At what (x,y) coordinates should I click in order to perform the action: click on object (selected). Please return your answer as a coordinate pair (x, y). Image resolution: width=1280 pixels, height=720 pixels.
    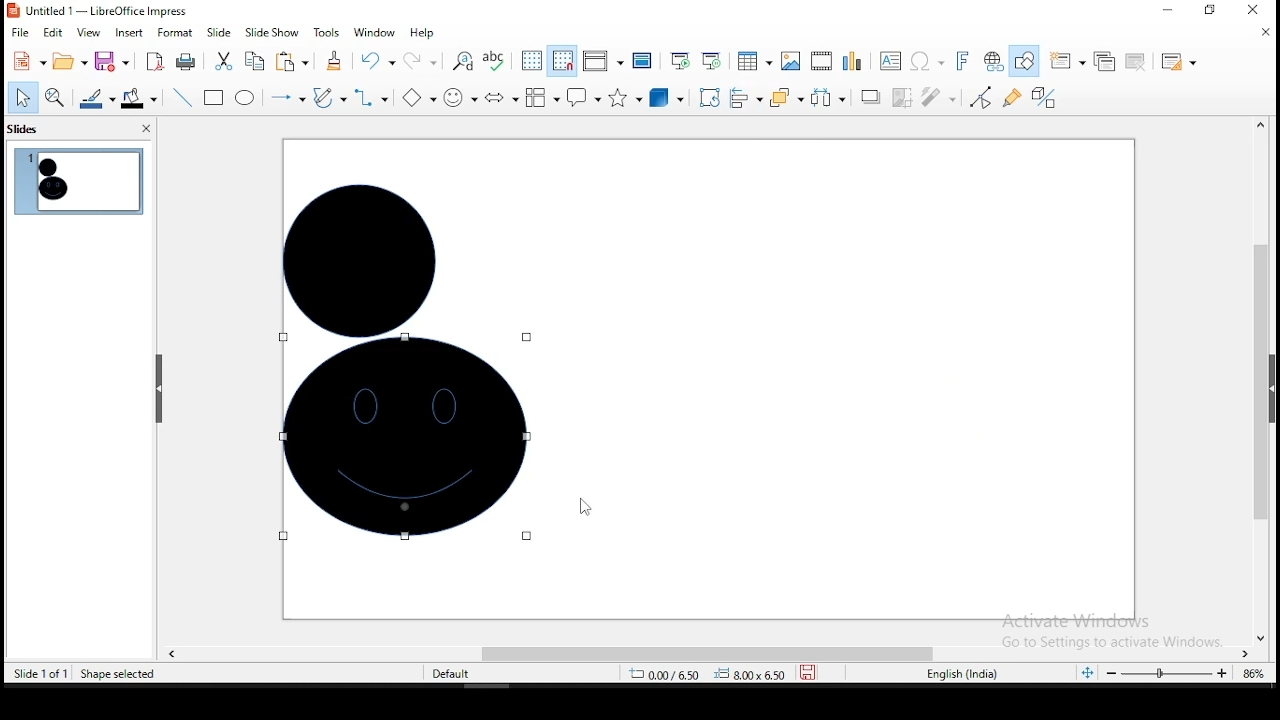
    Looking at the image, I should click on (364, 248).